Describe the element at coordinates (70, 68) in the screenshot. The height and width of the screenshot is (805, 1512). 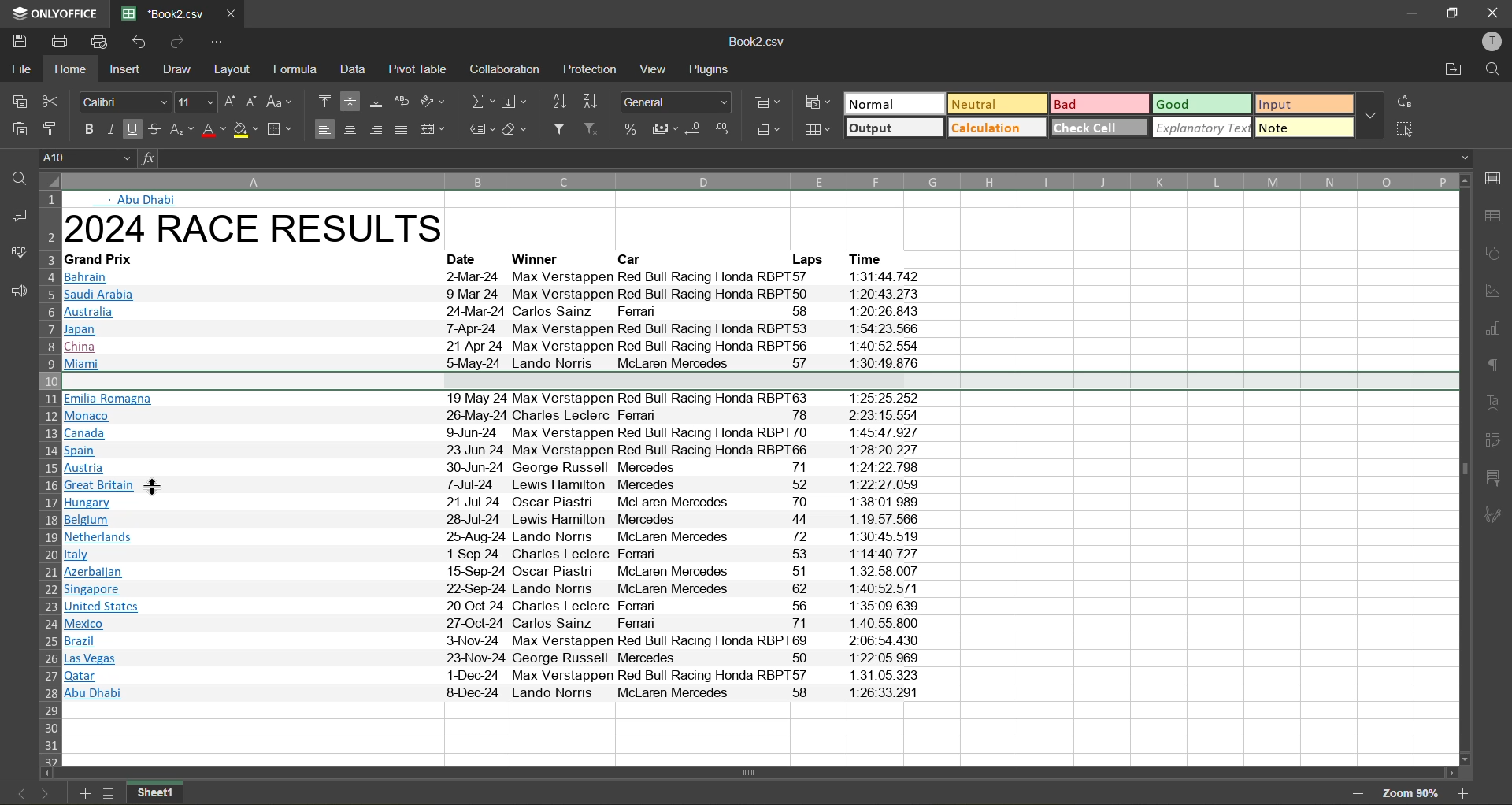
I see `home` at that location.